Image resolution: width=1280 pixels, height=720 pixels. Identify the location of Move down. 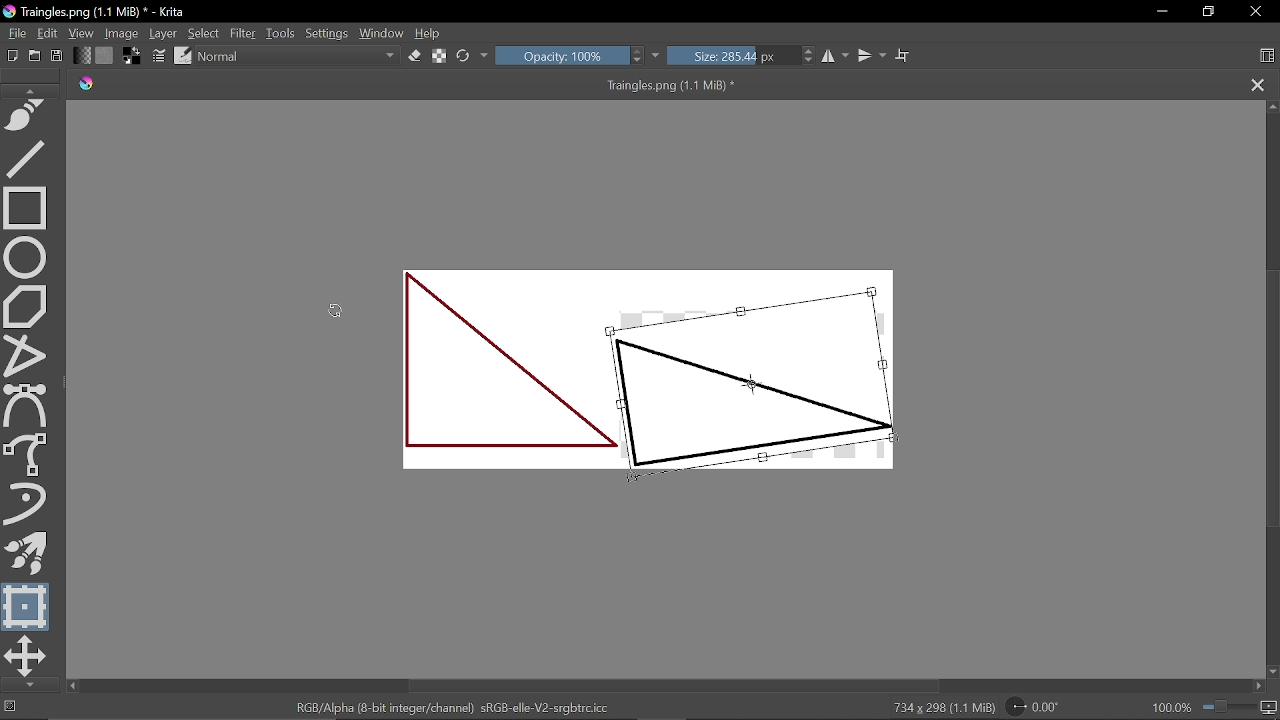
(1272, 672).